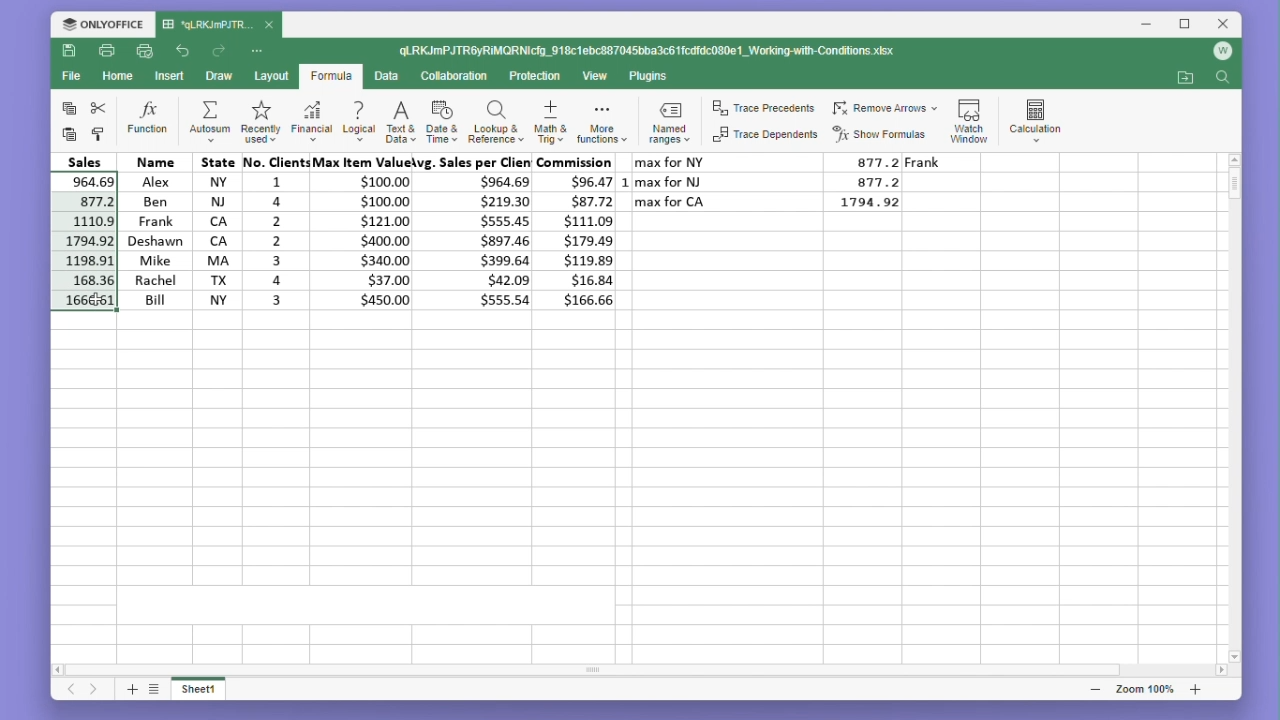 The image size is (1280, 720). What do you see at coordinates (275, 229) in the screenshot?
I see `no. clients` at bounding box center [275, 229].